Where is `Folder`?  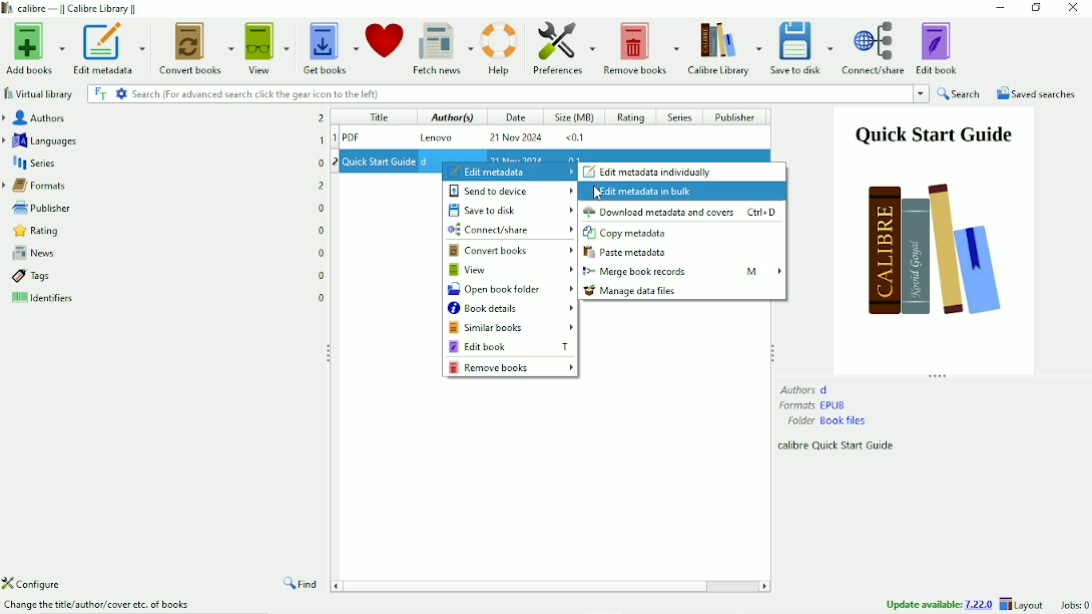
Folder is located at coordinates (827, 421).